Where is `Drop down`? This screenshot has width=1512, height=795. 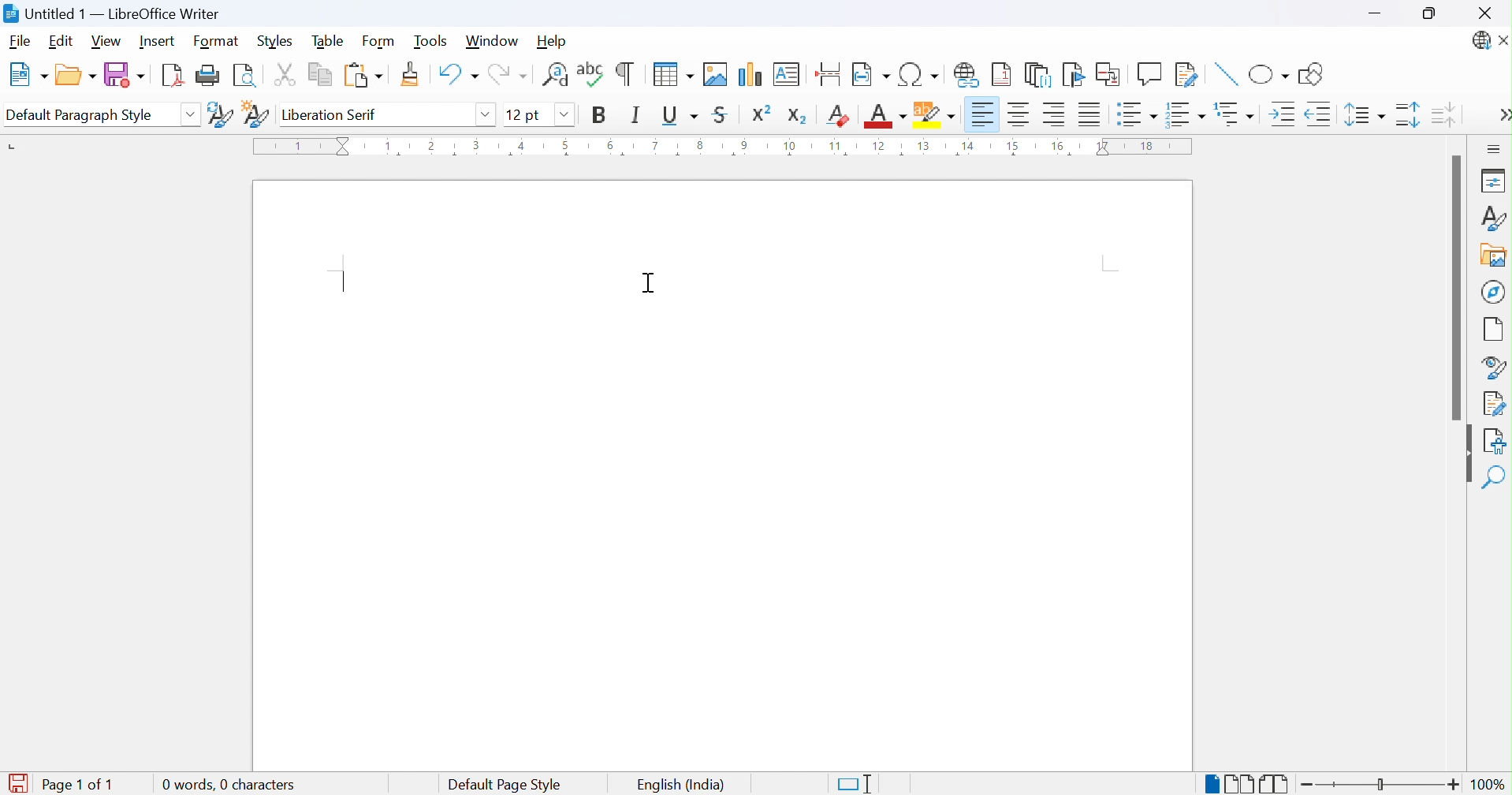 Drop down is located at coordinates (487, 114).